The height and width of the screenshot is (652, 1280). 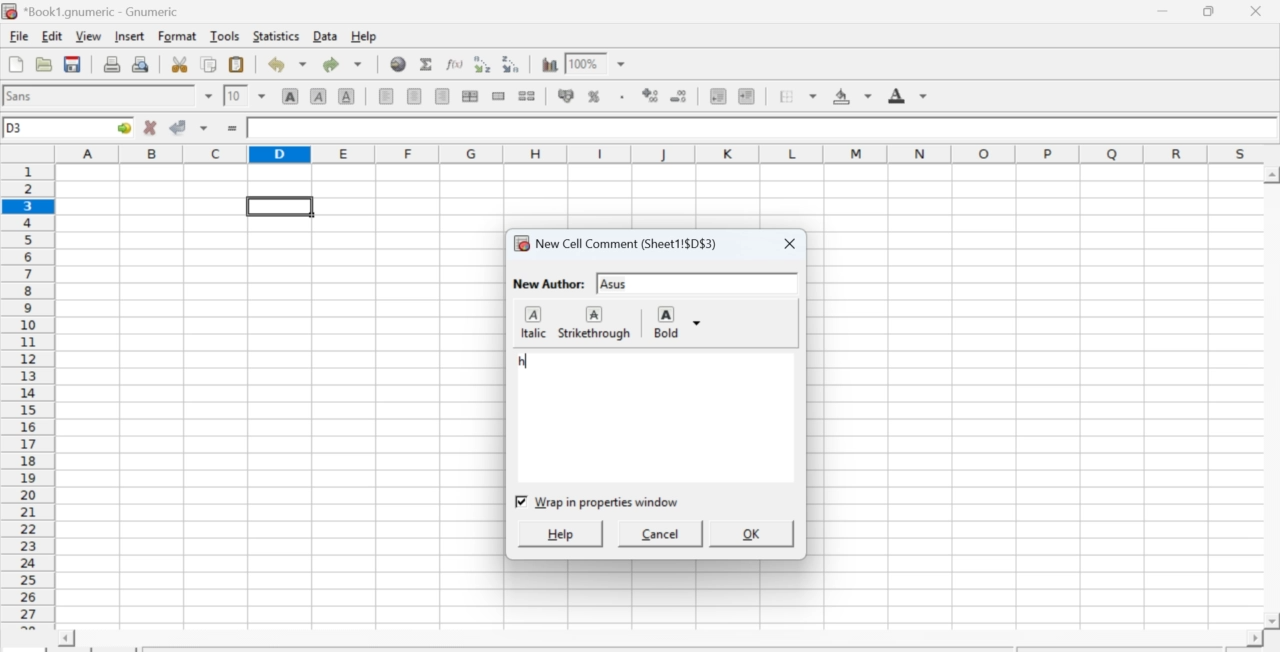 What do you see at coordinates (100, 98) in the screenshot?
I see `Font Style` at bounding box center [100, 98].